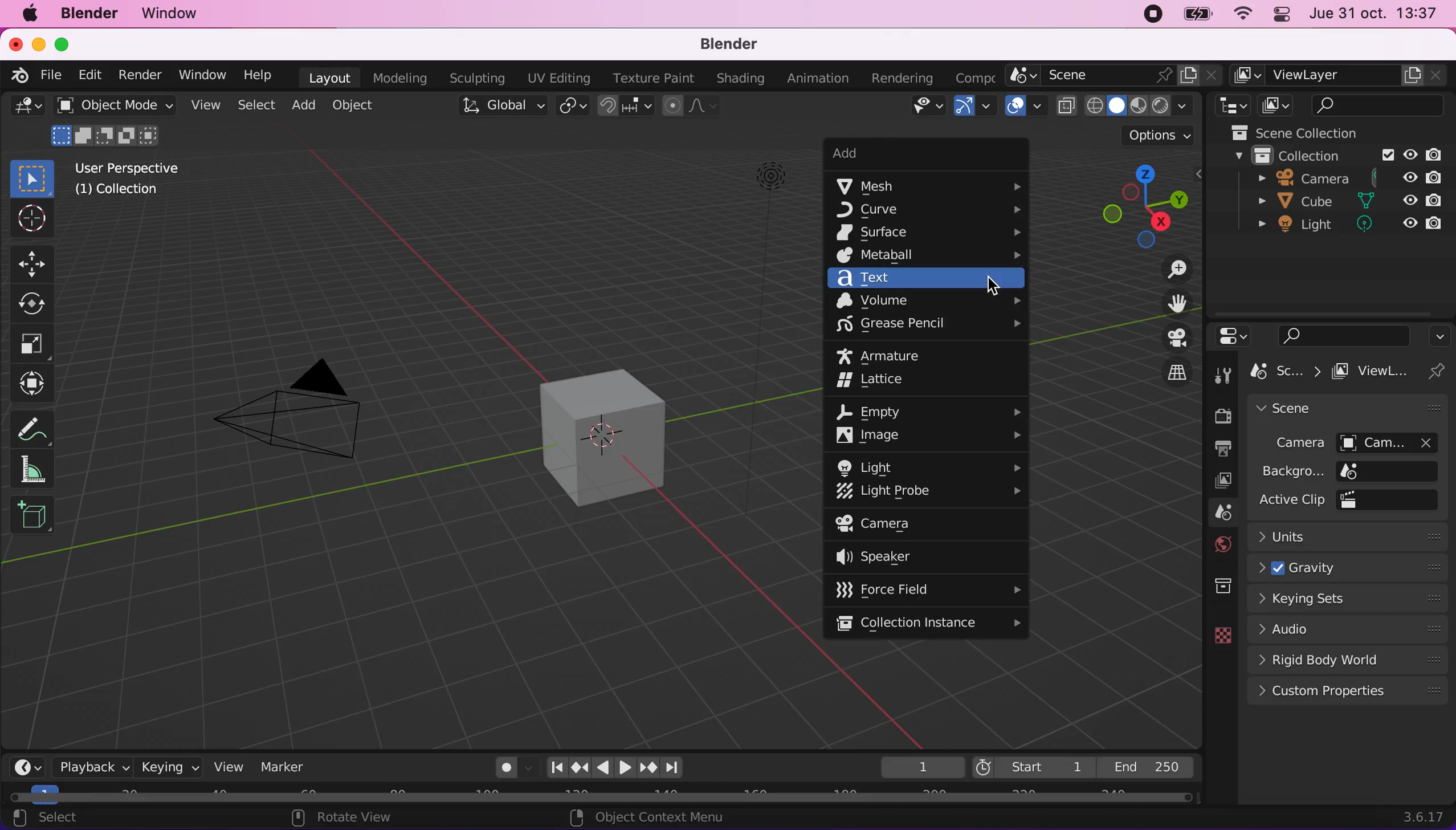  I want to click on empty, so click(933, 412).